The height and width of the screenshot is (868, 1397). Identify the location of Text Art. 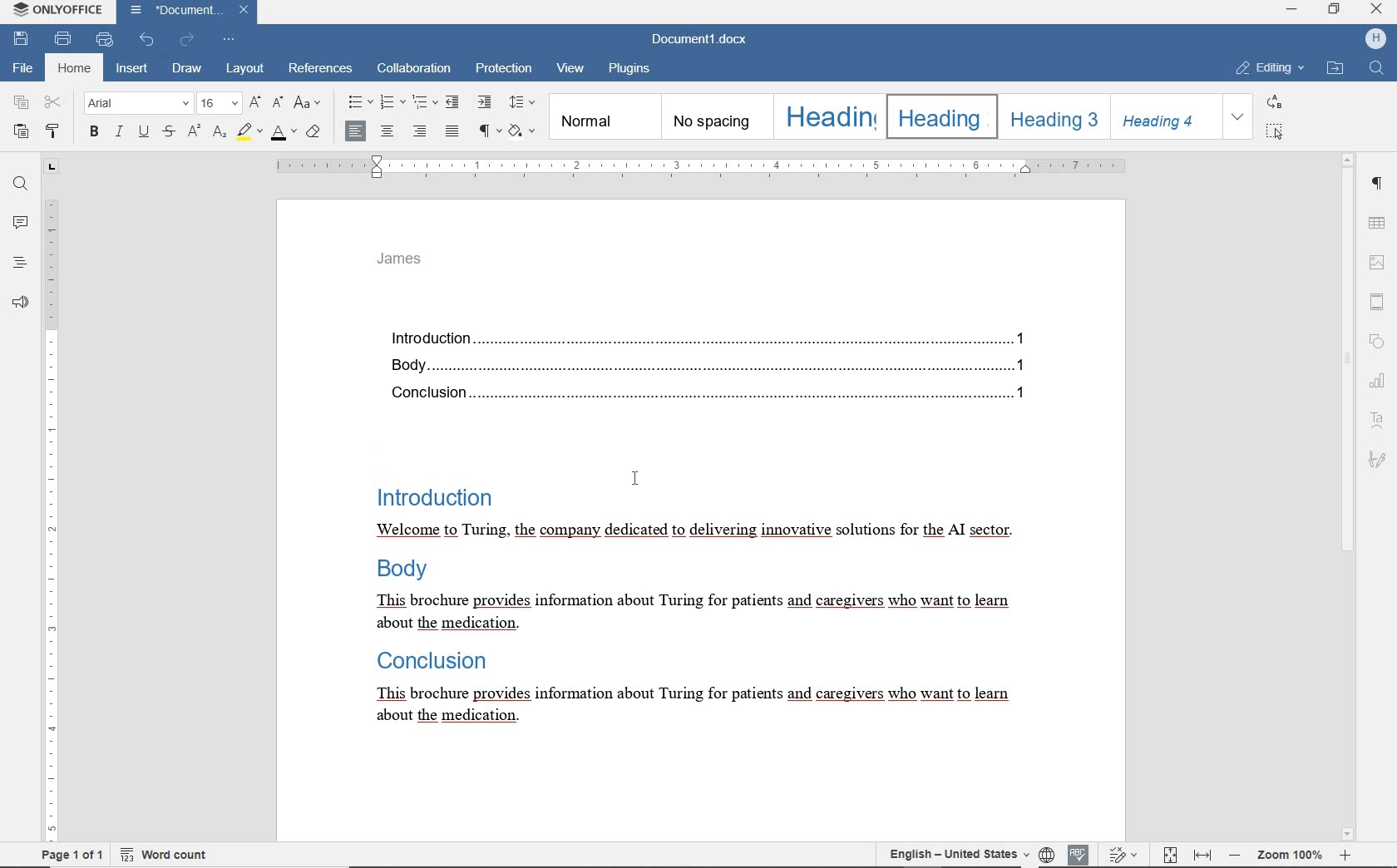
(1379, 421).